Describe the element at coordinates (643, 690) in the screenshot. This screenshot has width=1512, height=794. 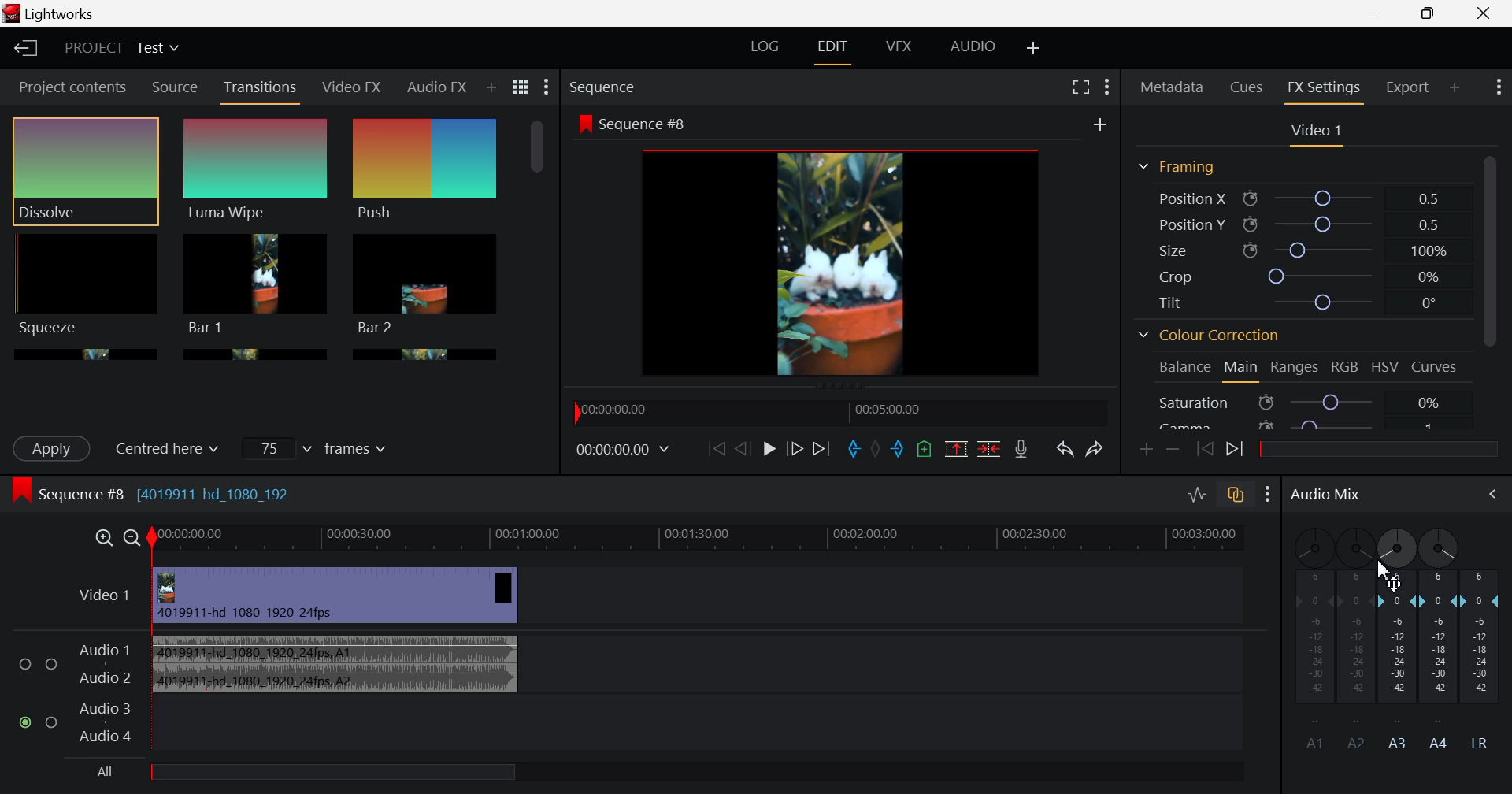
I see `Audio Input Field` at that location.